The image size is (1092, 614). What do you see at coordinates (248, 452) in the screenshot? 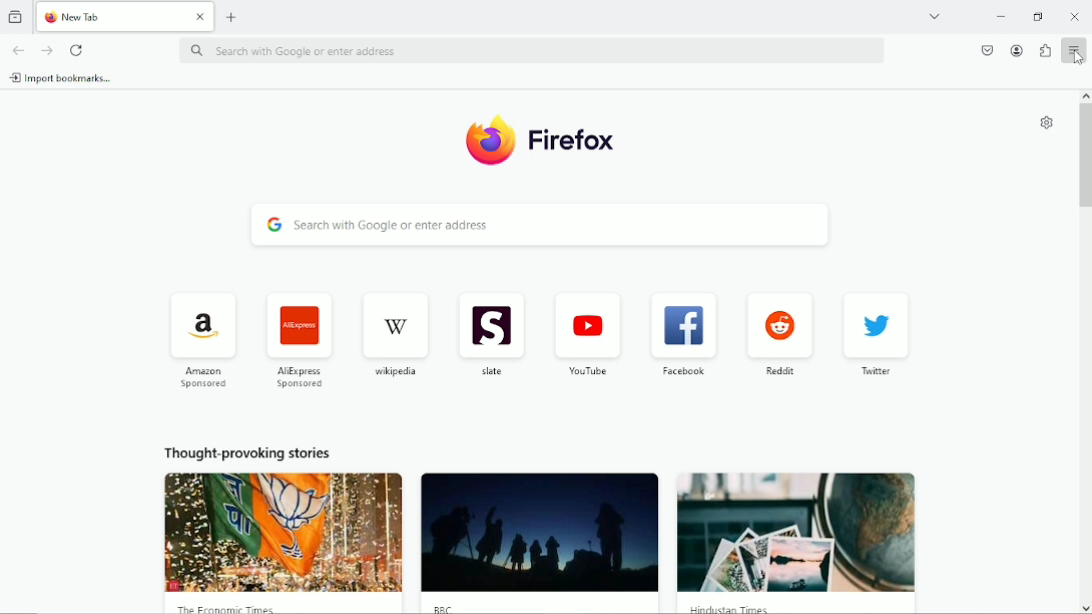
I see `thought provoking stories` at bounding box center [248, 452].